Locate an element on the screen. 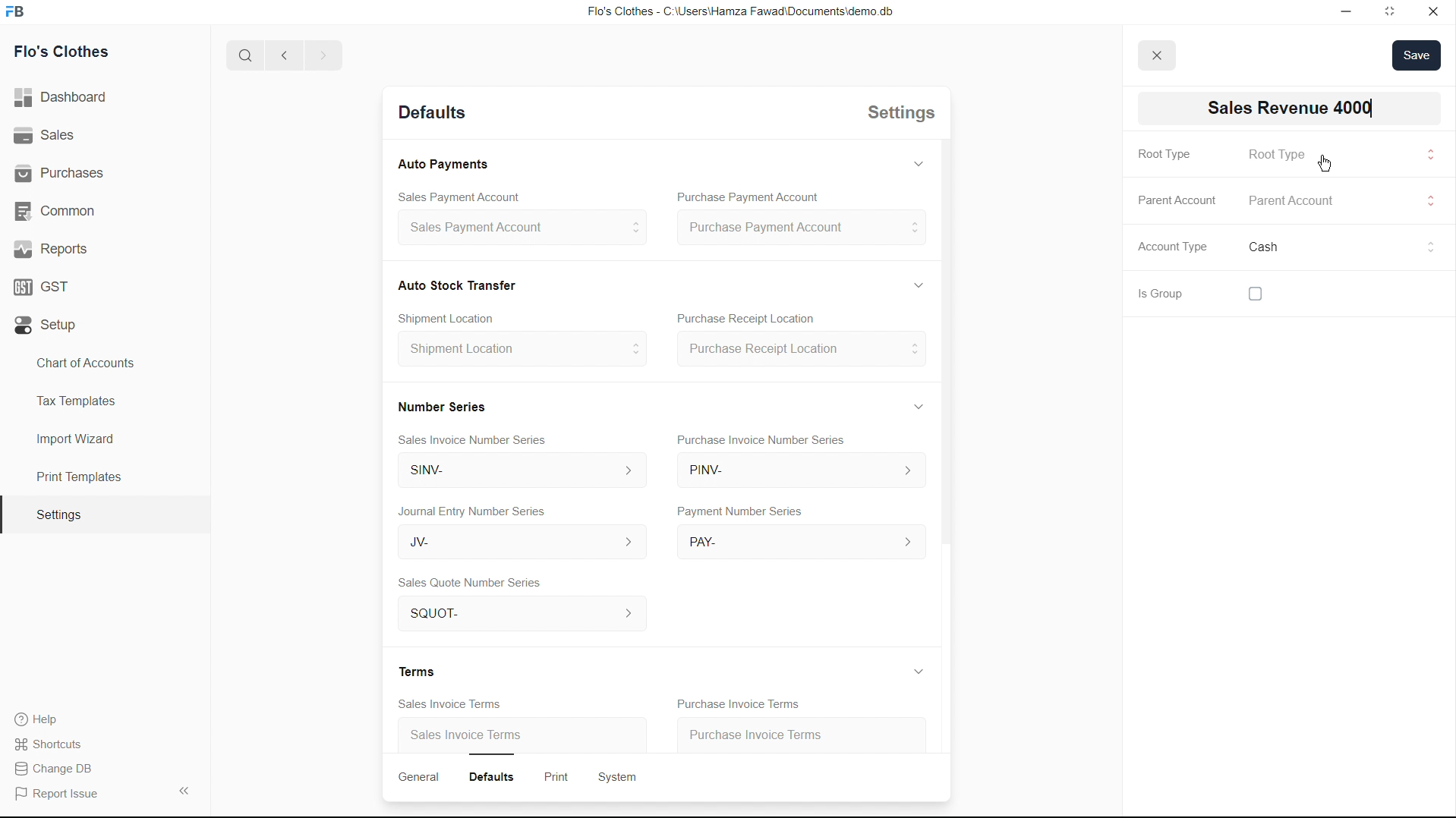  Sales Payment Account is located at coordinates (450, 195).